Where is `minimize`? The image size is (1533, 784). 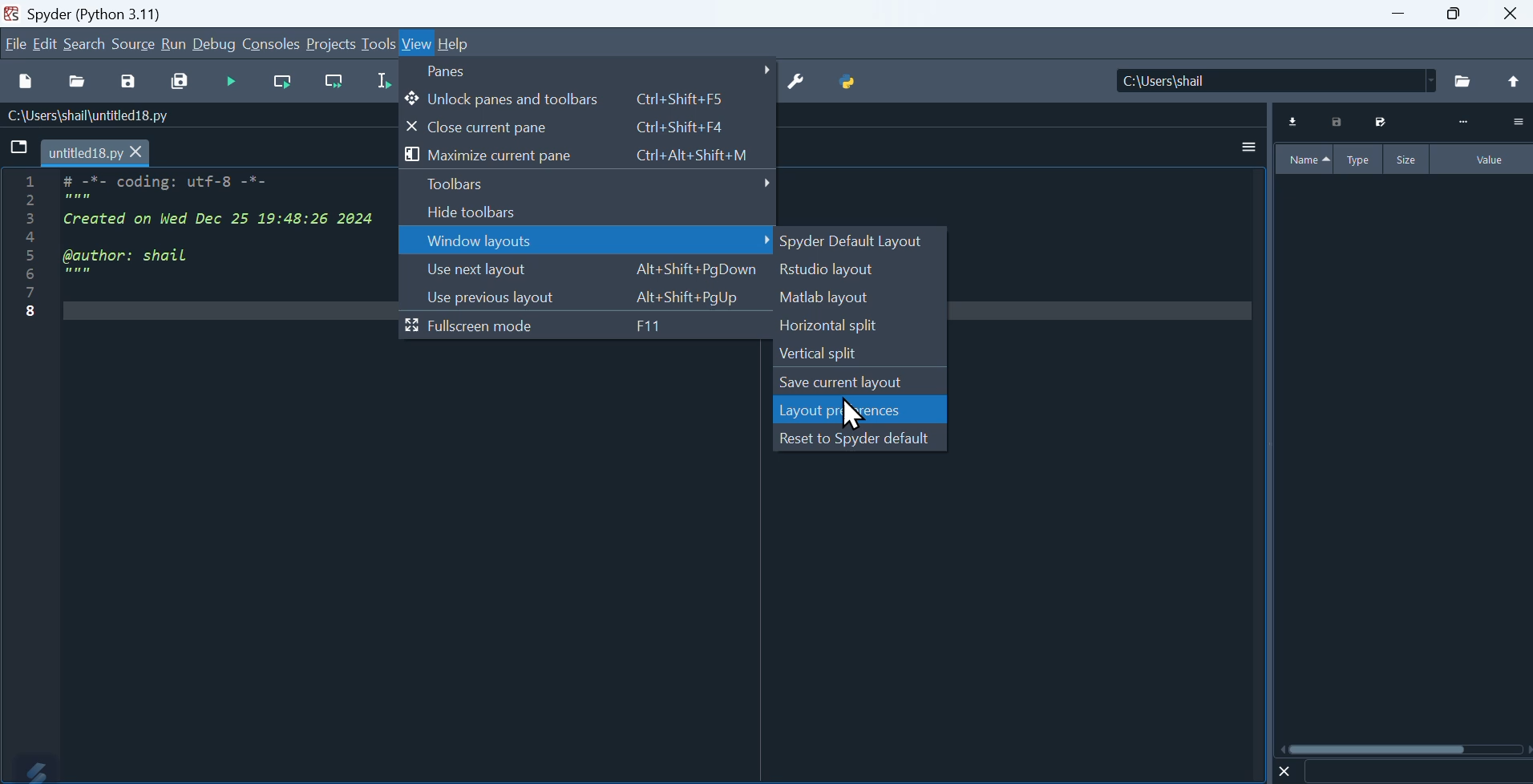 minimize is located at coordinates (1395, 14).